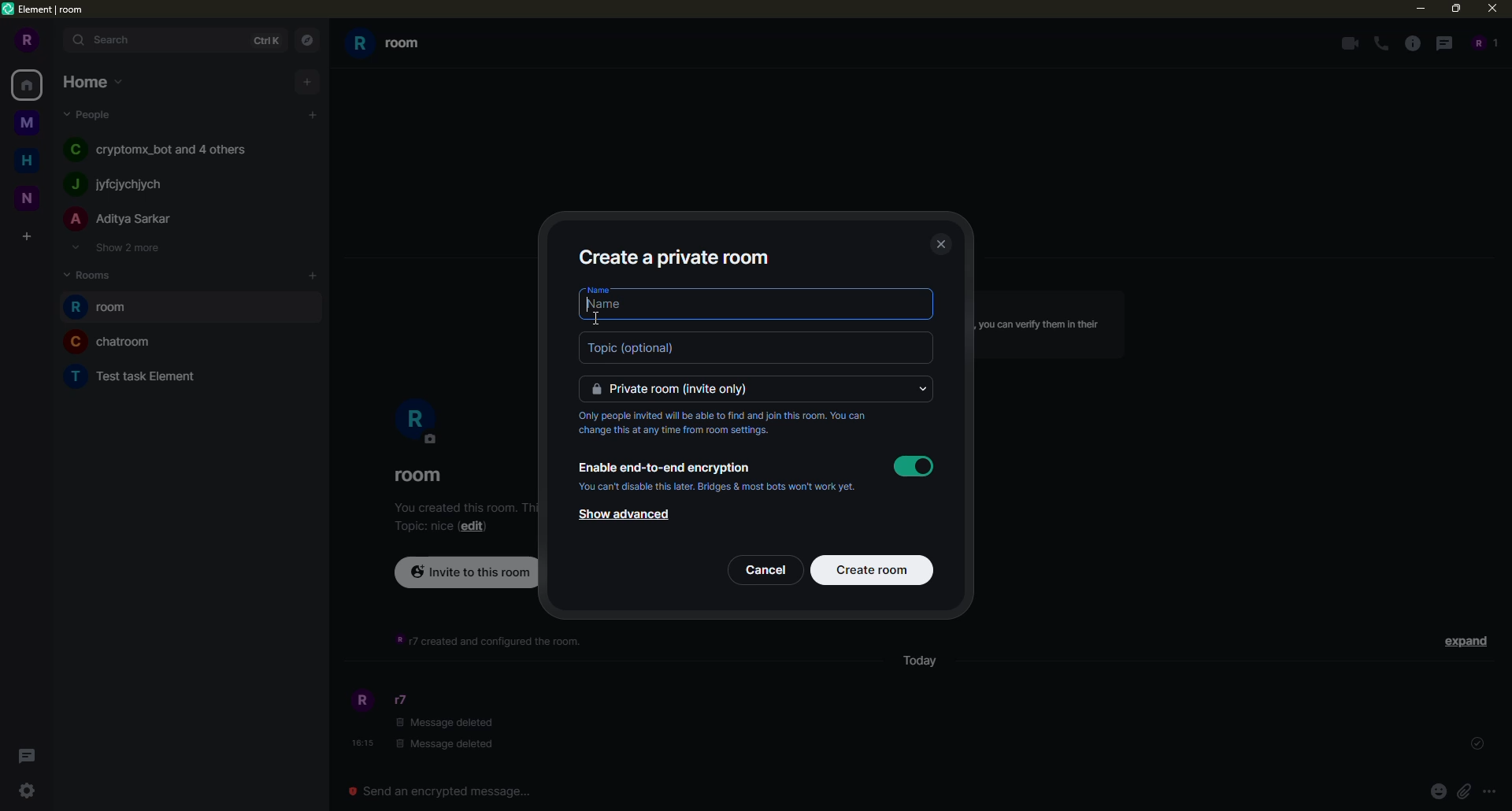 The height and width of the screenshot is (811, 1512). Describe the element at coordinates (265, 41) in the screenshot. I see `ctrlK` at that location.